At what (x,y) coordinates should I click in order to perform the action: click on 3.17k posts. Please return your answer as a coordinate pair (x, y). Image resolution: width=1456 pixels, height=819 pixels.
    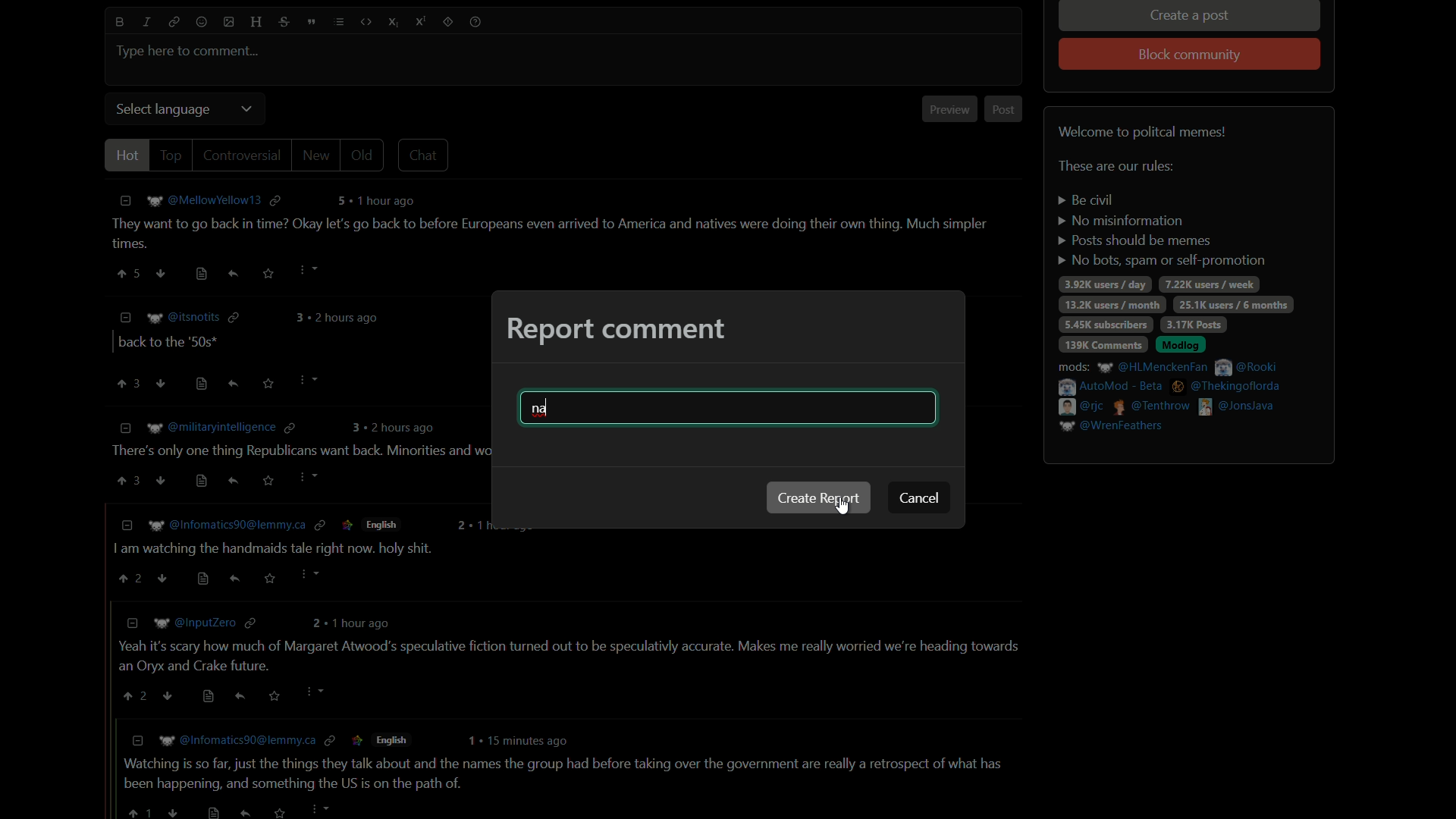
    Looking at the image, I should click on (1193, 325).